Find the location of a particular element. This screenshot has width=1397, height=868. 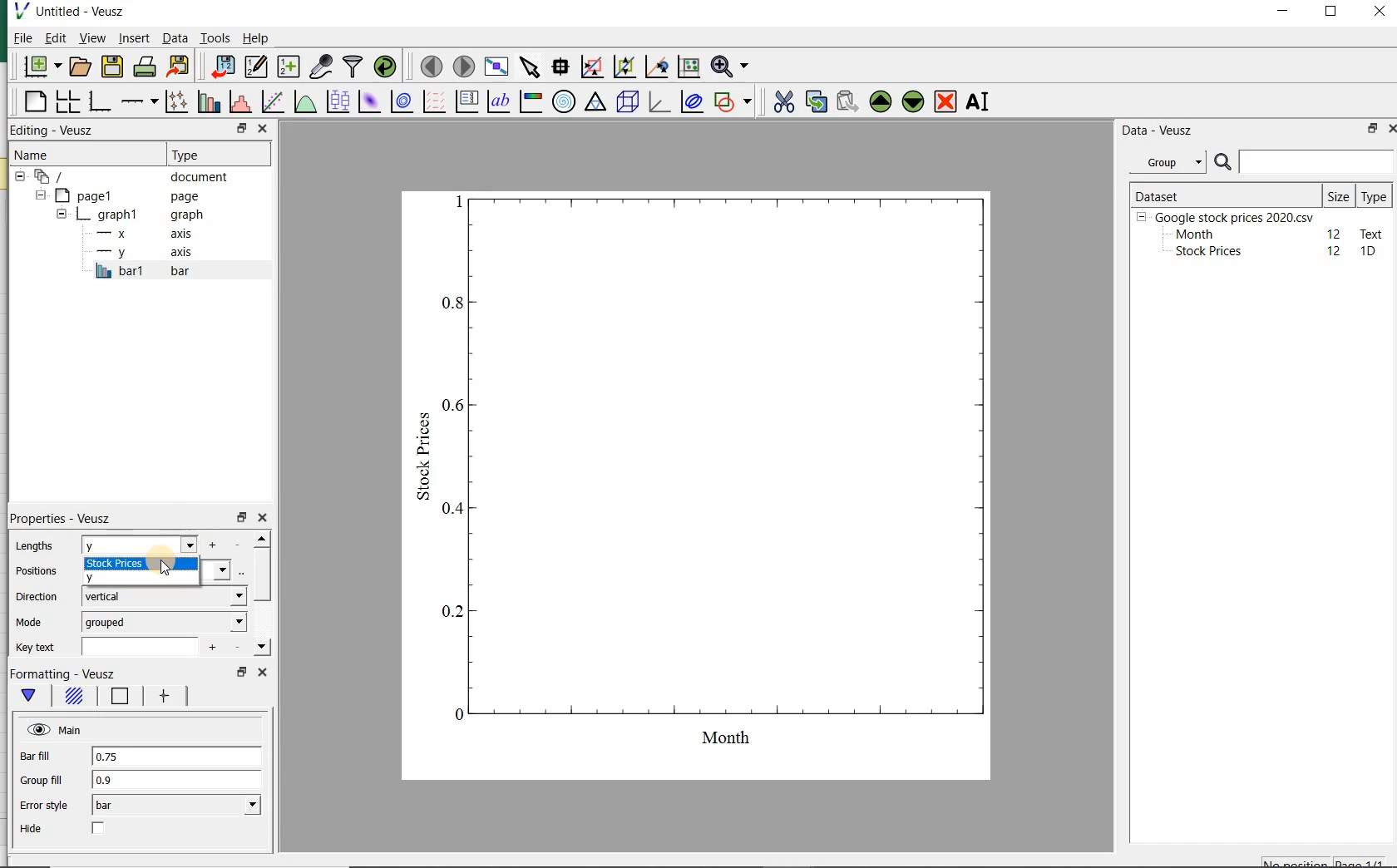

Editing - Veusz is located at coordinates (54, 131).